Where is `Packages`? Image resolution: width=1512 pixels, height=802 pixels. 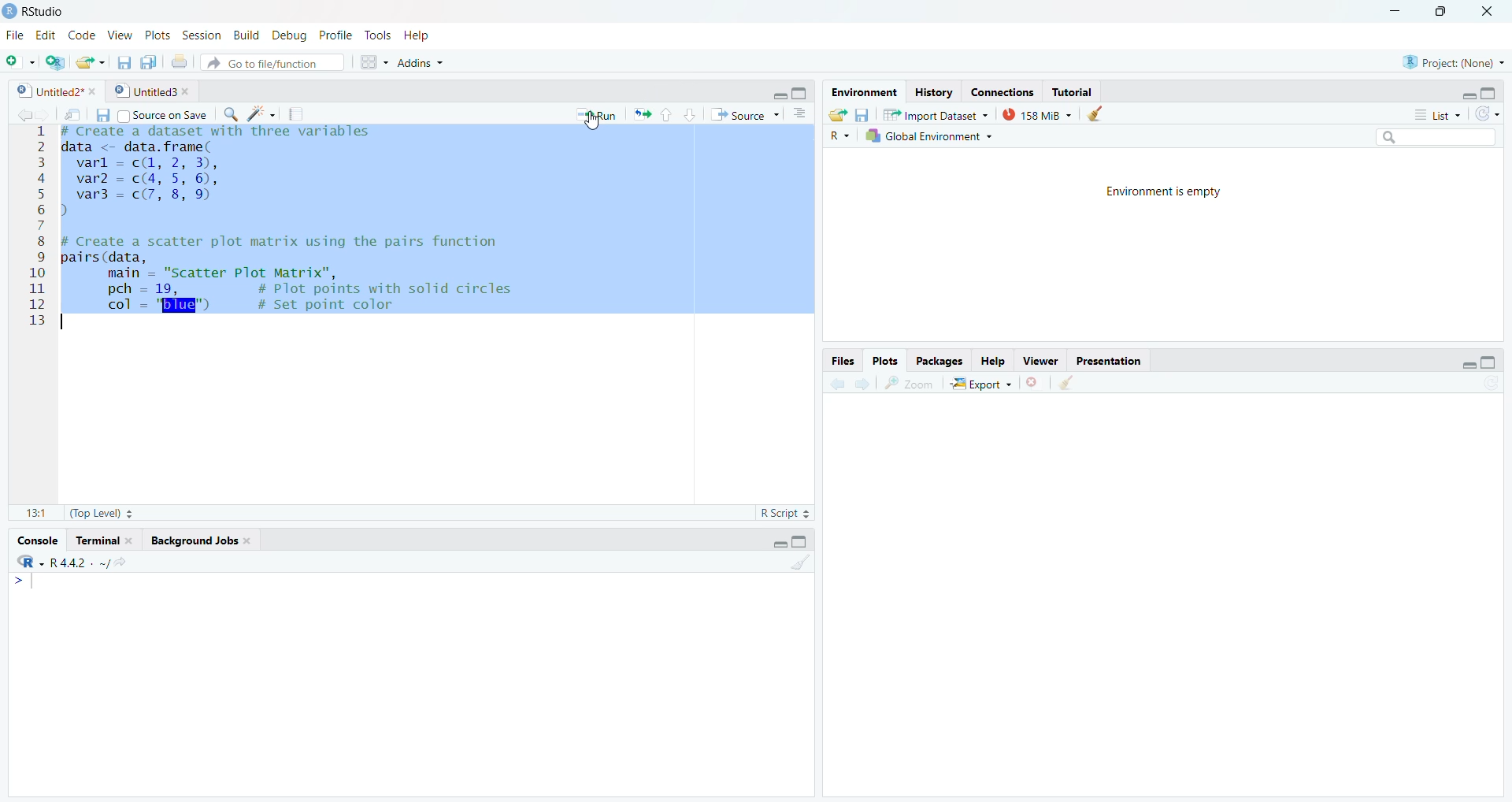 Packages is located at coordinates (942, 360).